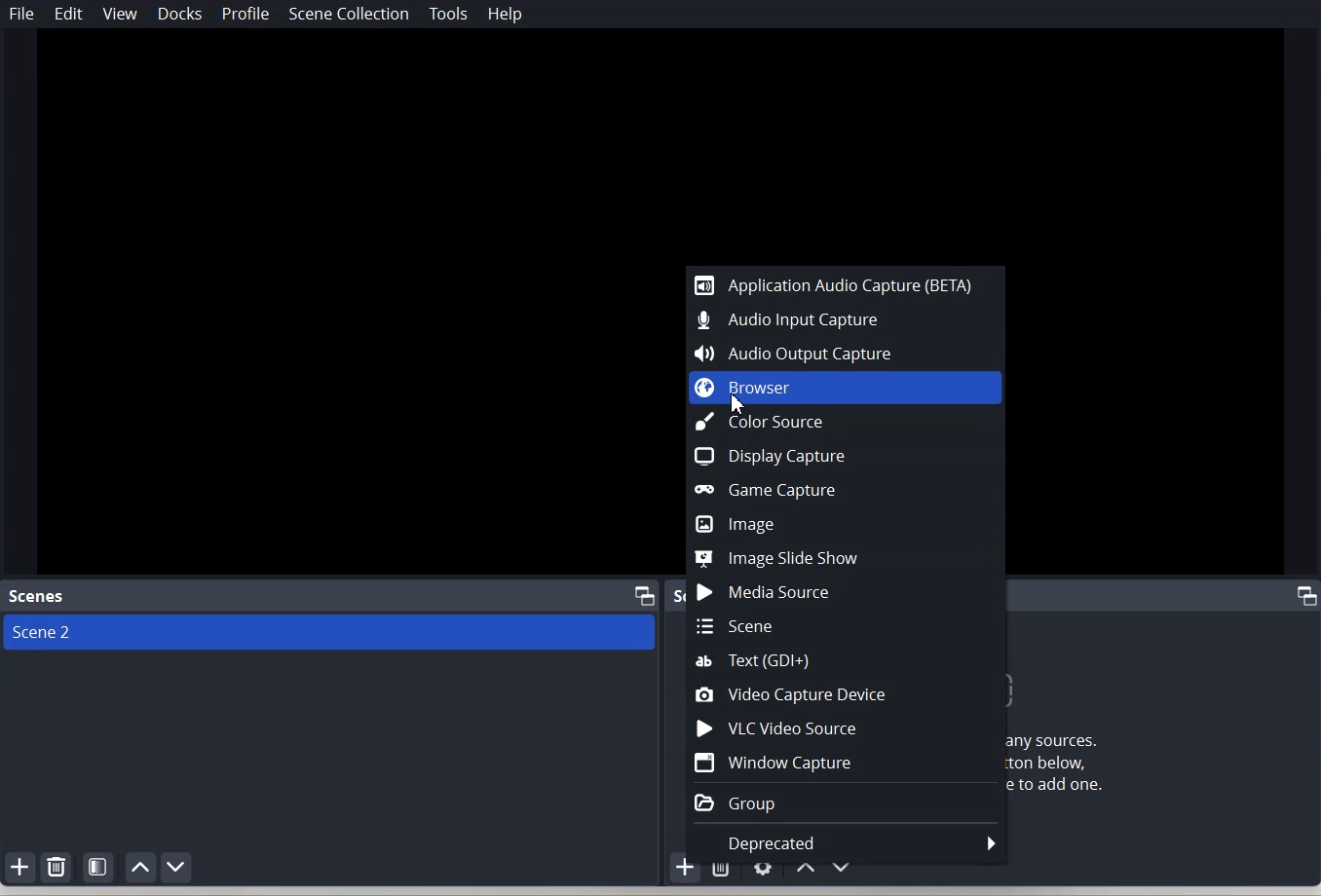 The width and height of the screenshot is (1321, 896). What do you see at coordinates (847, 625) in the screenshot?
I see `Scene` at bounding box center [847, 625].